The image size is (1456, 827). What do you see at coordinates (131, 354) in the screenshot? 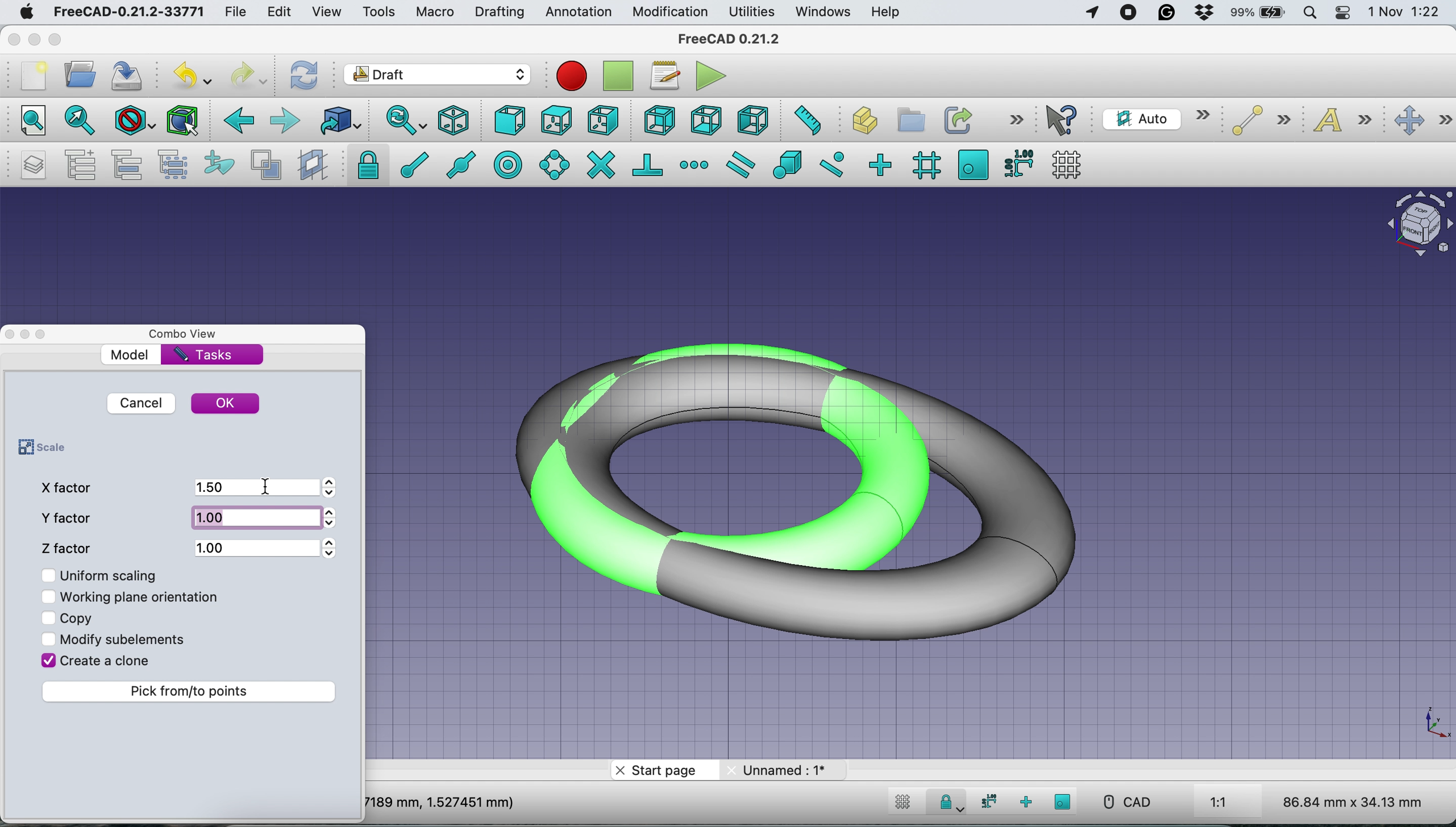
I see `model` at bounding box center [131, 354].